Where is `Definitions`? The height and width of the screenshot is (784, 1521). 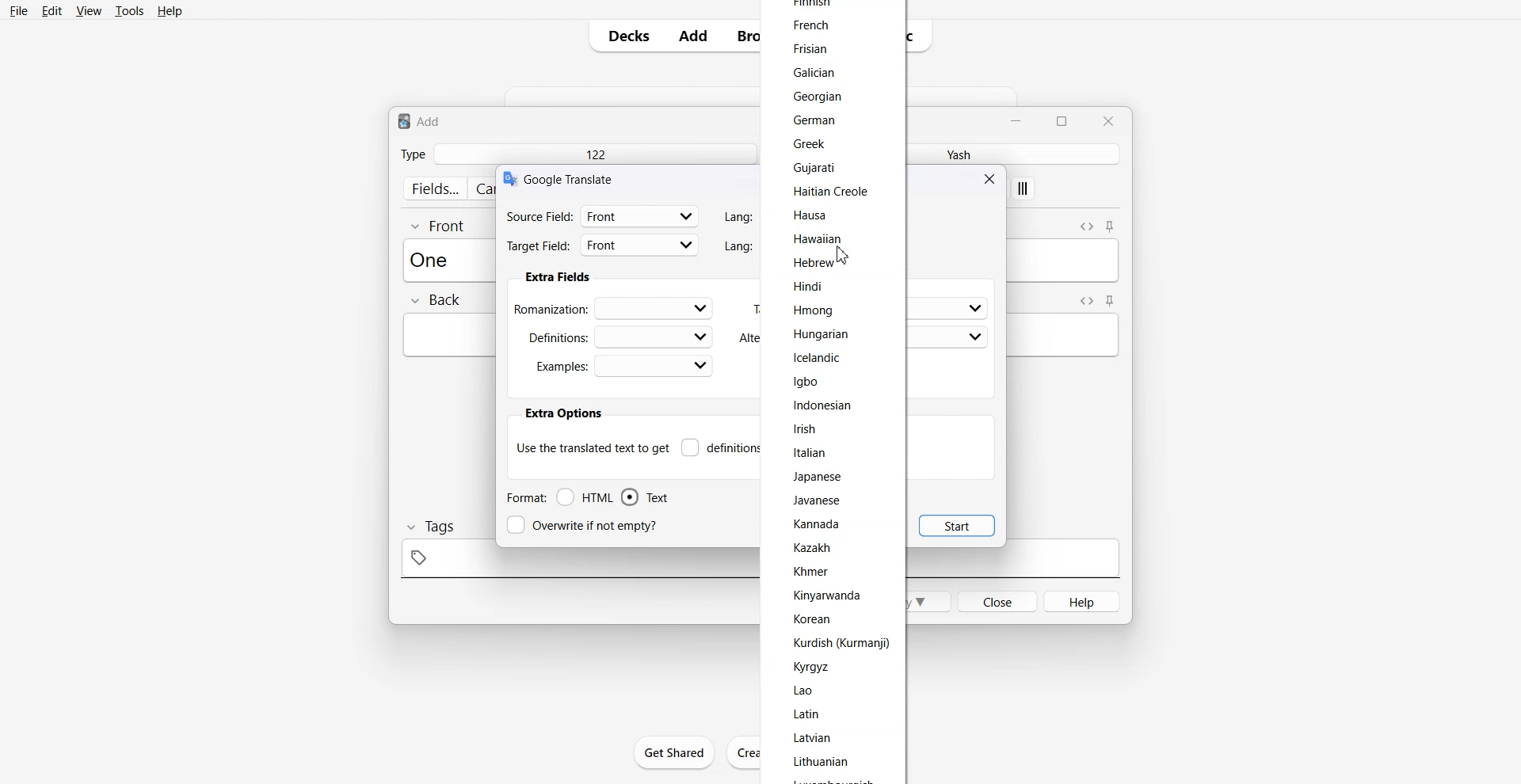
Definitions is located at coordinates (721, 447).